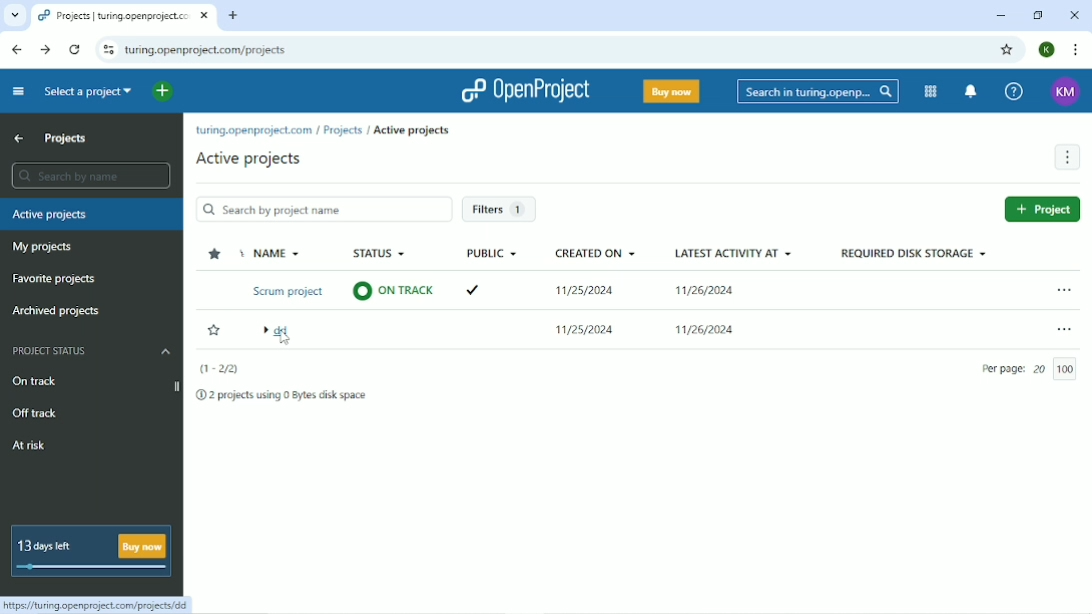  Describe the element at coordinates (90, 93) in the screenshot. I see `Select a project` at that location.